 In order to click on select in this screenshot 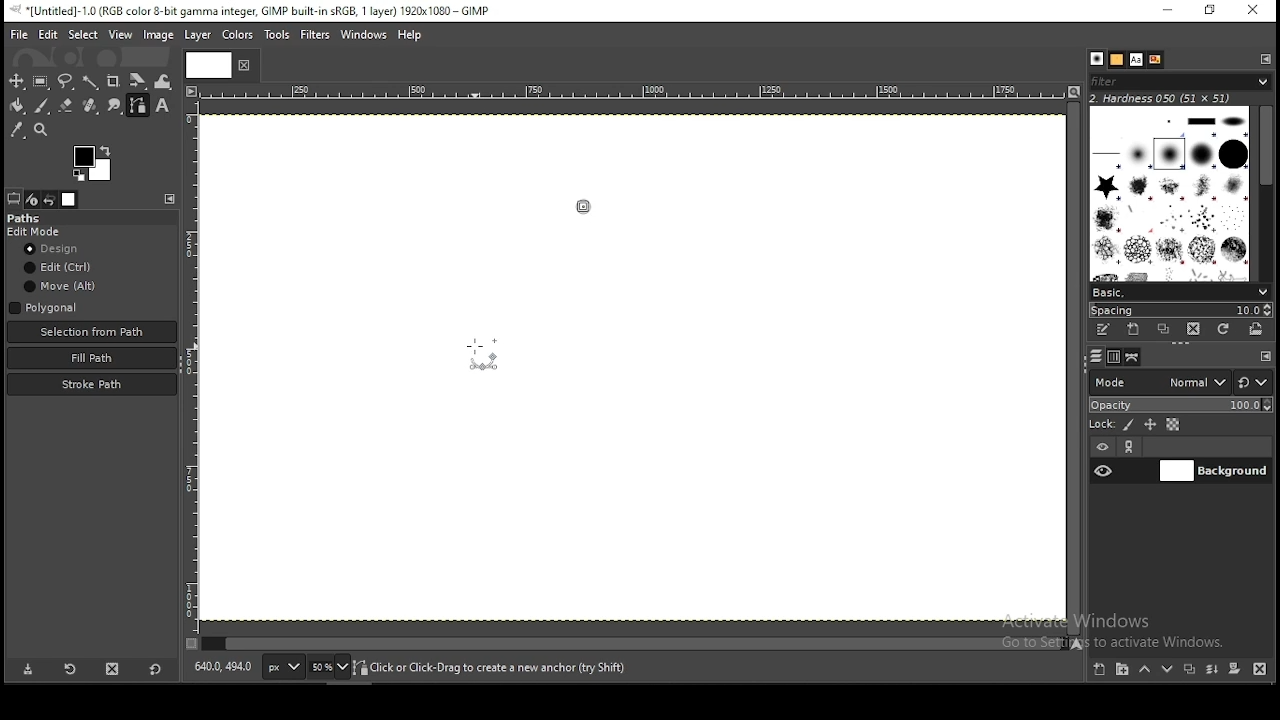, I will do `click(82, 35)`.